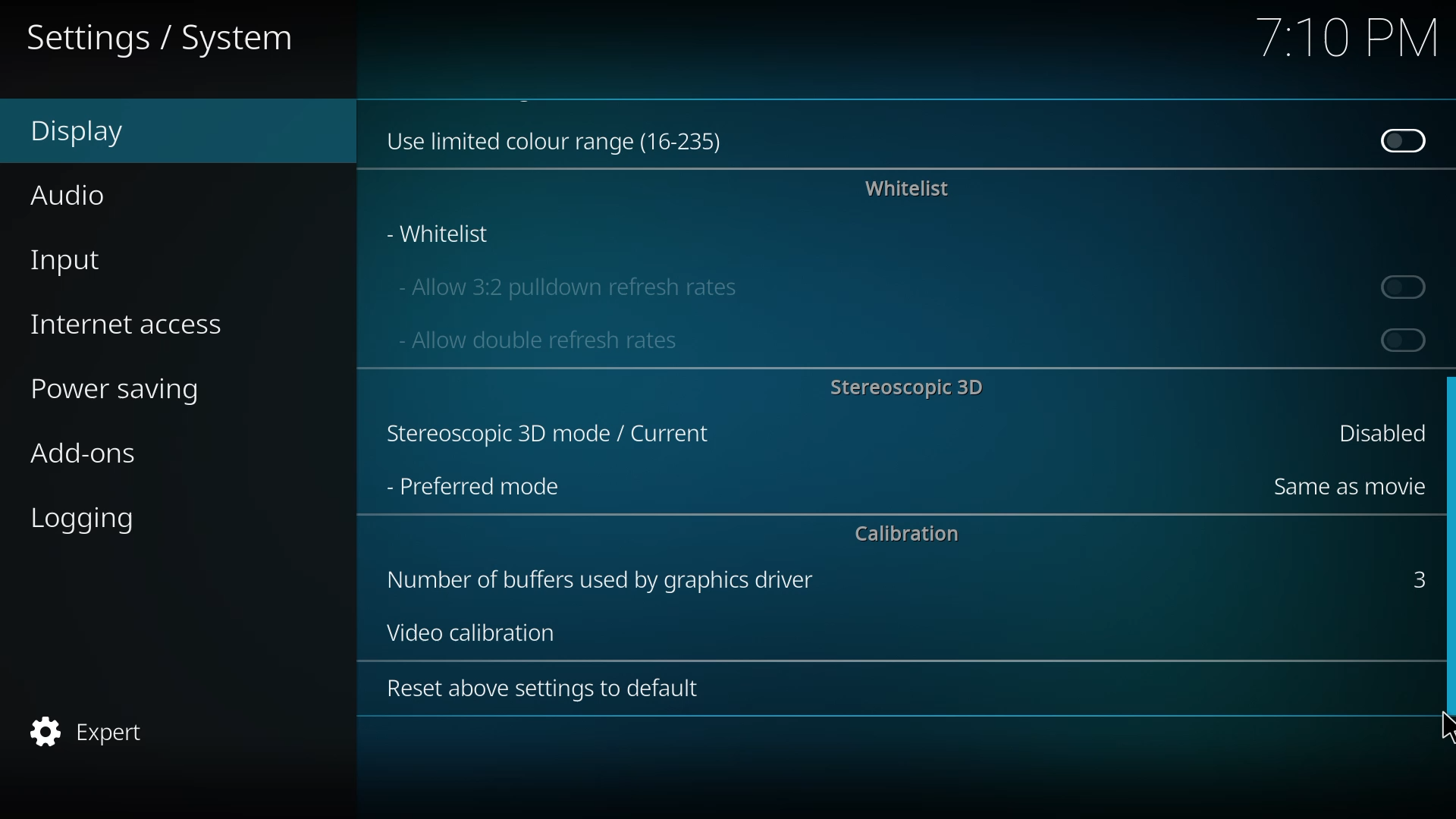 The width and height of the screenshot is (1456, 819). What do you see at coordinates (98, 456) in the screenshot?
I see `add-ons` at bounding box center [98, 456].